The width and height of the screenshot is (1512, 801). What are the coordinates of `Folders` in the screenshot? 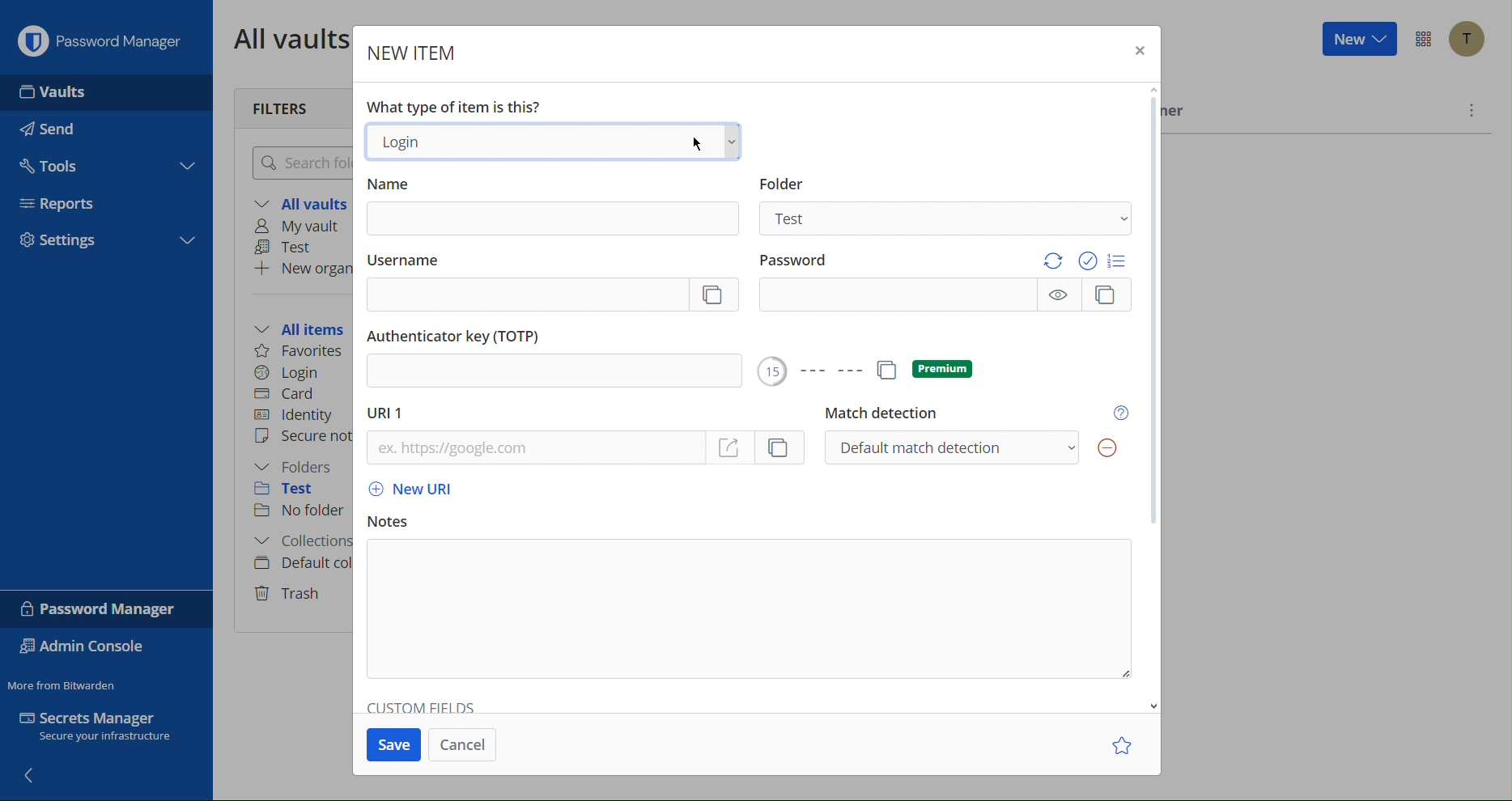 It's located at (297, 468).